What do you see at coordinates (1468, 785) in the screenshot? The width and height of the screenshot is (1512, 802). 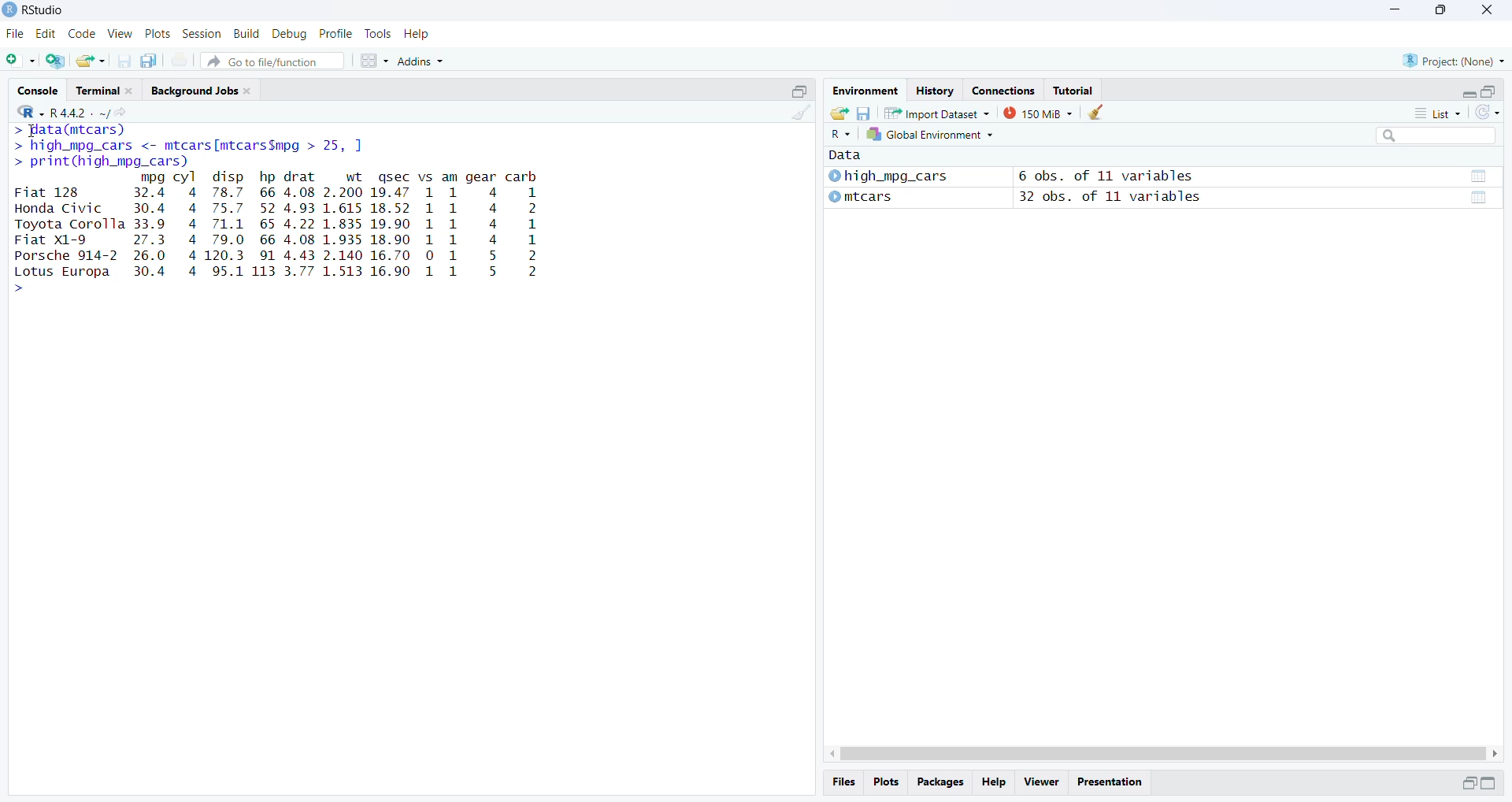 I see `minimize` at bounding box center [1468, 785].